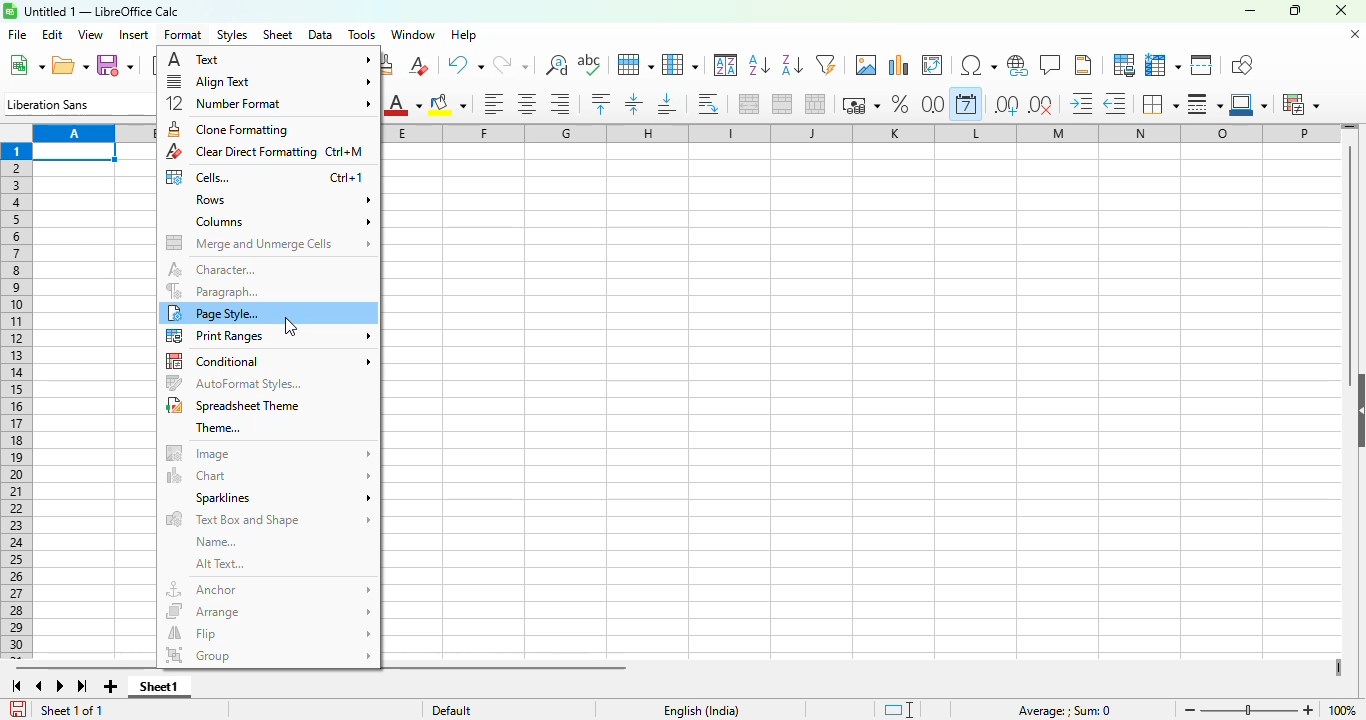  Describe the element at coordinates (493, 104) in the screenshot. I see `align left` at that location.